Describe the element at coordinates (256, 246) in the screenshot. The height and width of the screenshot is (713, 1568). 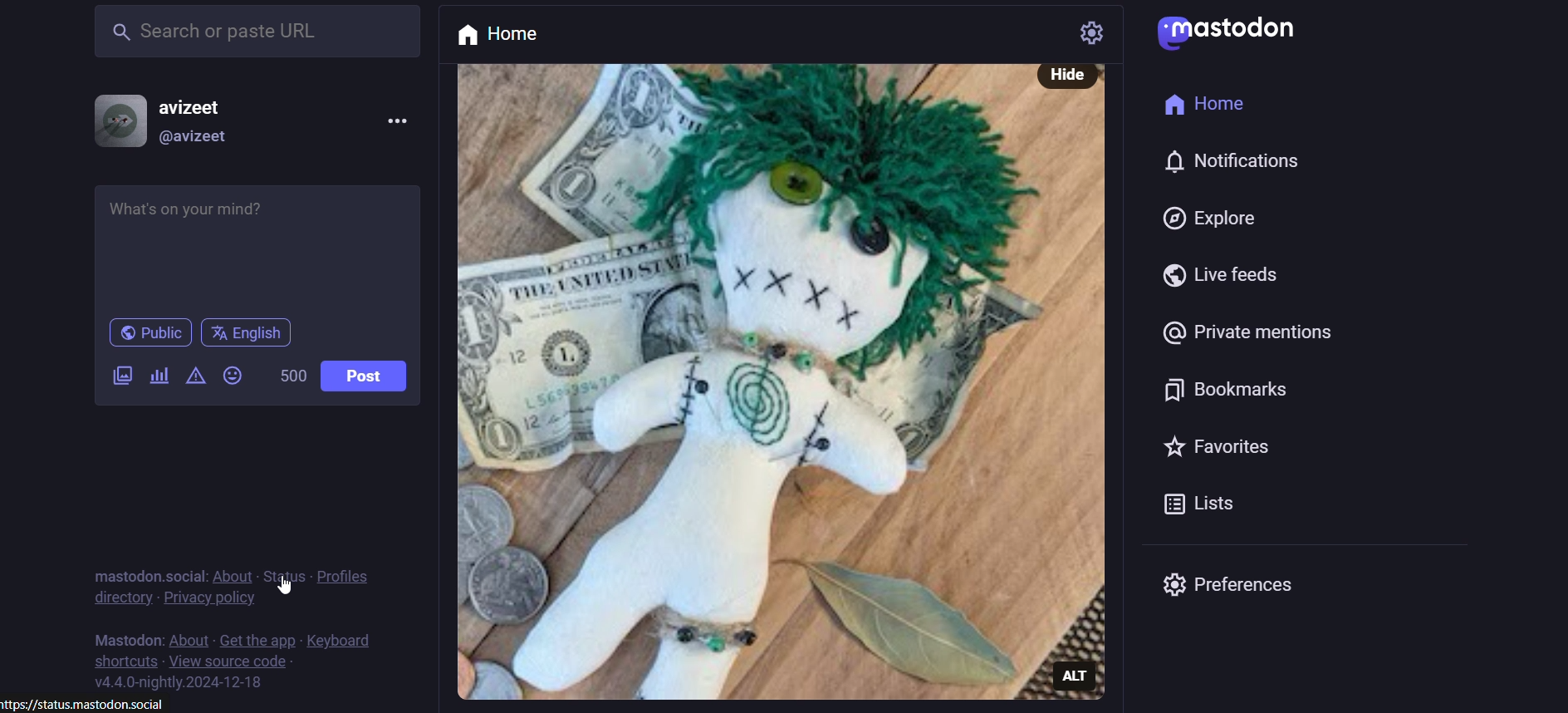
I see `whats on your mind` at that location.